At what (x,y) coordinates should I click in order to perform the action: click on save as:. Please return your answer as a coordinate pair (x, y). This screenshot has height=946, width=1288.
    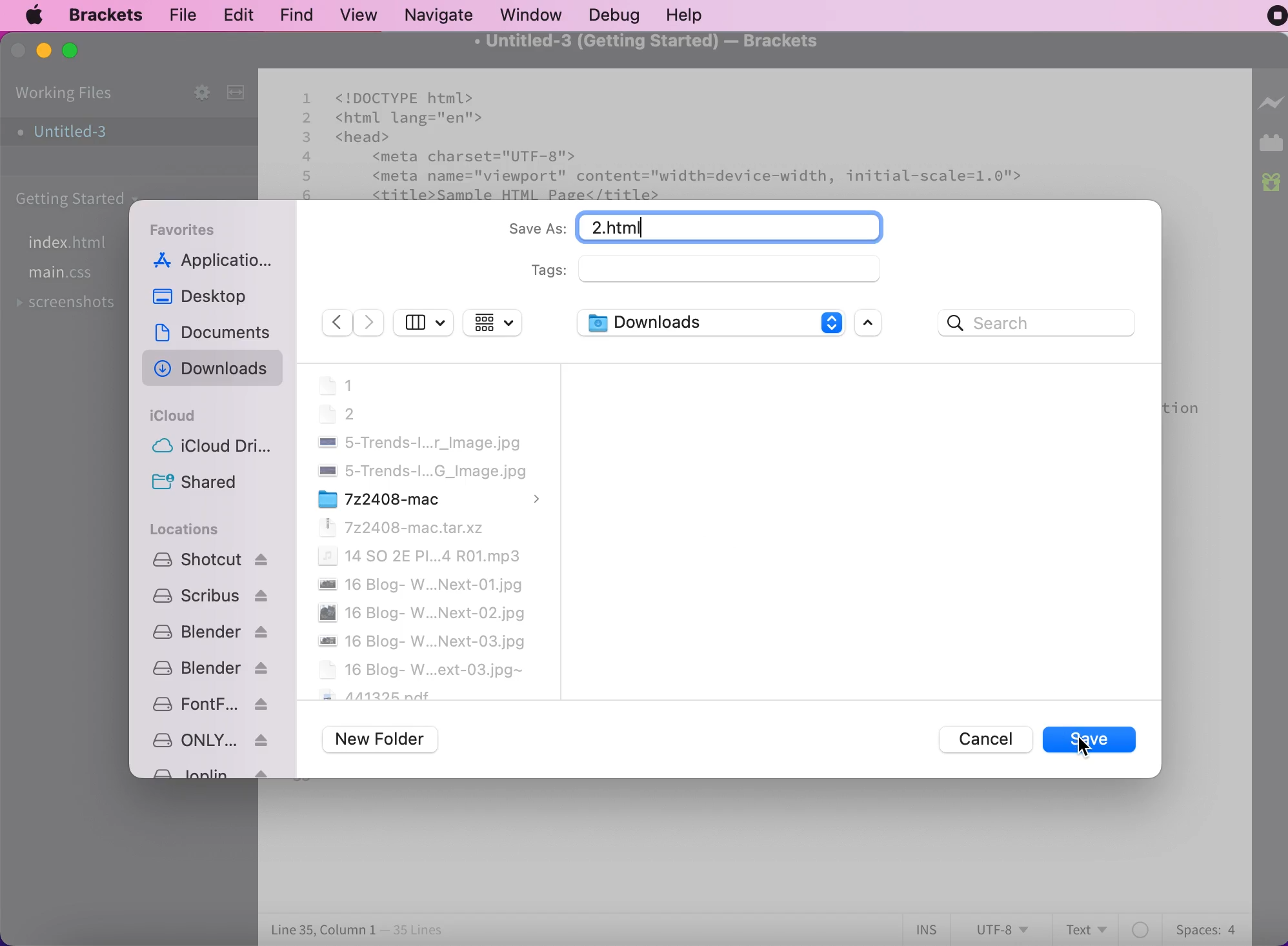
    Looking at the image, I should click on (532, 232).